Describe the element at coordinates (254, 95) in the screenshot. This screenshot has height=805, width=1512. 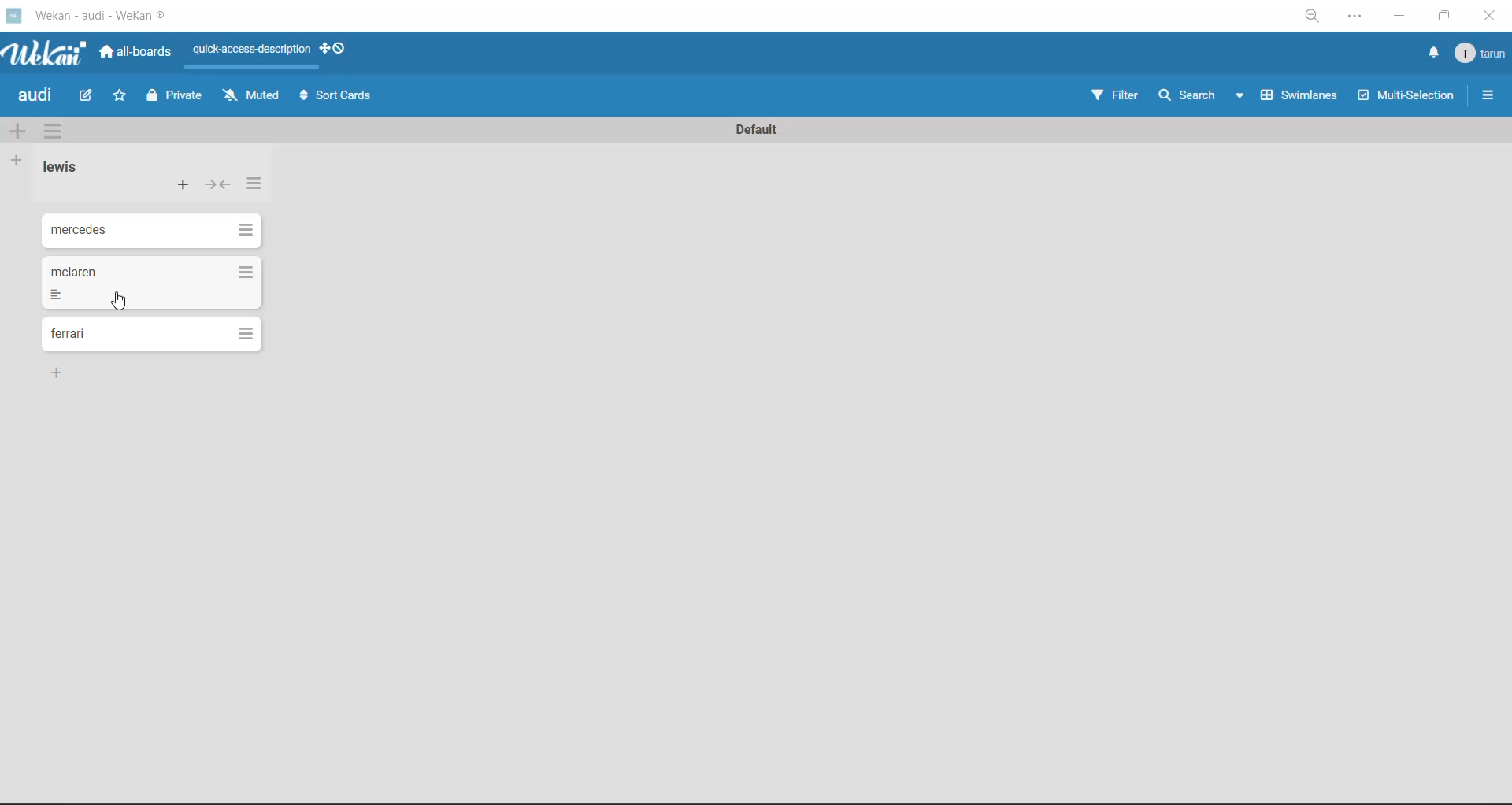
I see `muted` at that location.